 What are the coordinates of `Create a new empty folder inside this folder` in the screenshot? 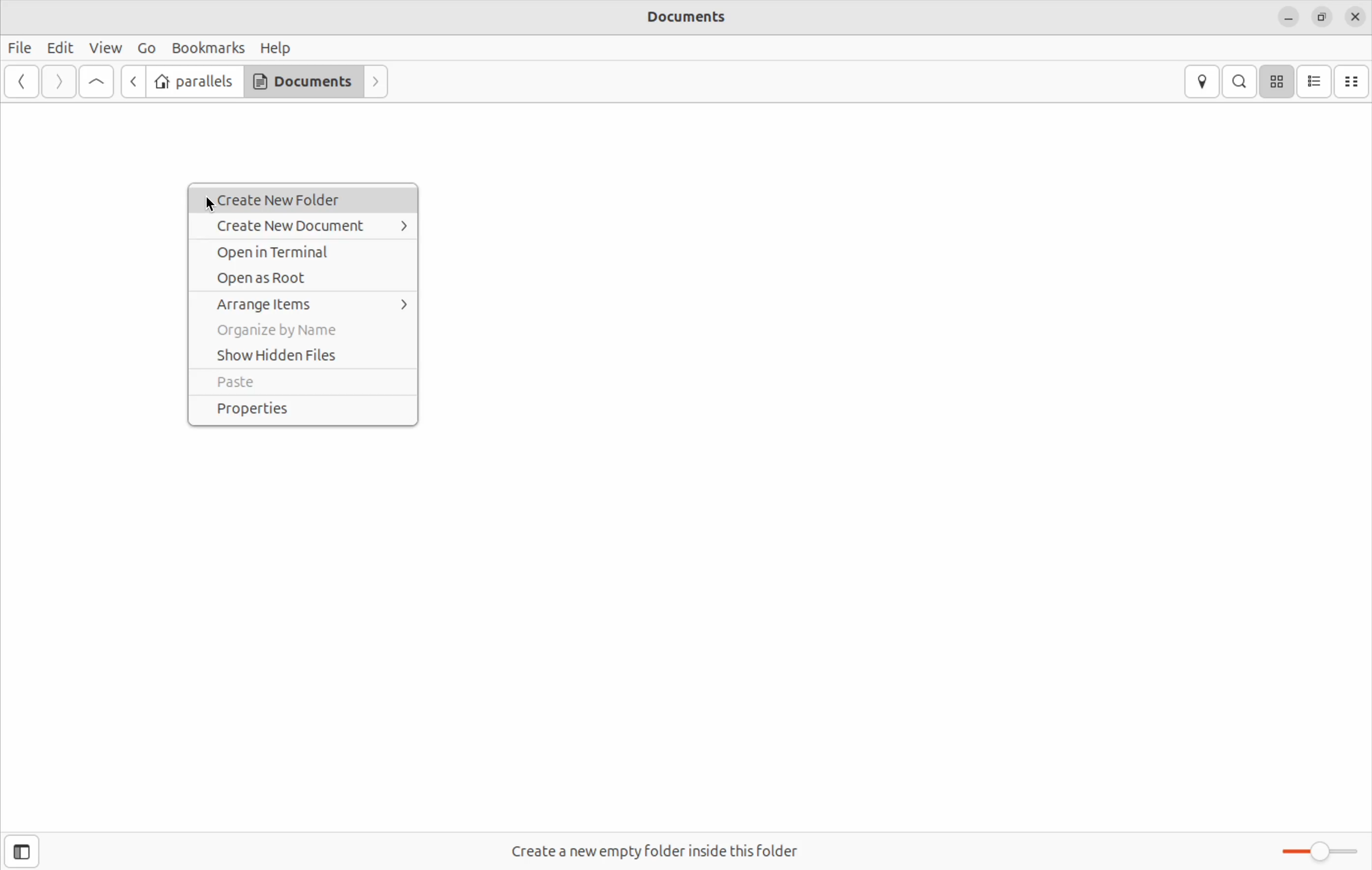 It's located at (654, 849).